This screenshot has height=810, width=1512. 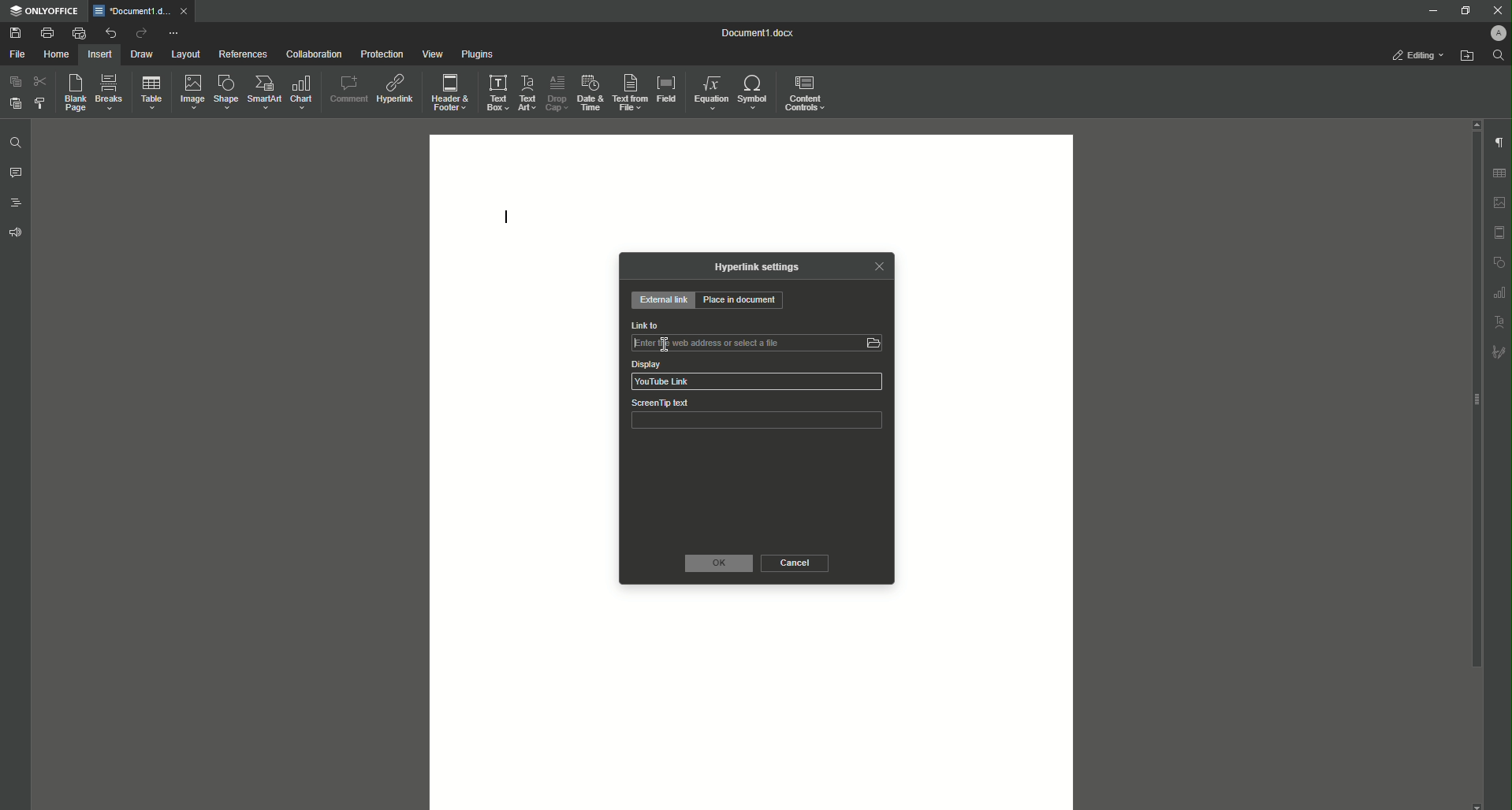 I want to click on Date and Time, so click(x=590, y=93).